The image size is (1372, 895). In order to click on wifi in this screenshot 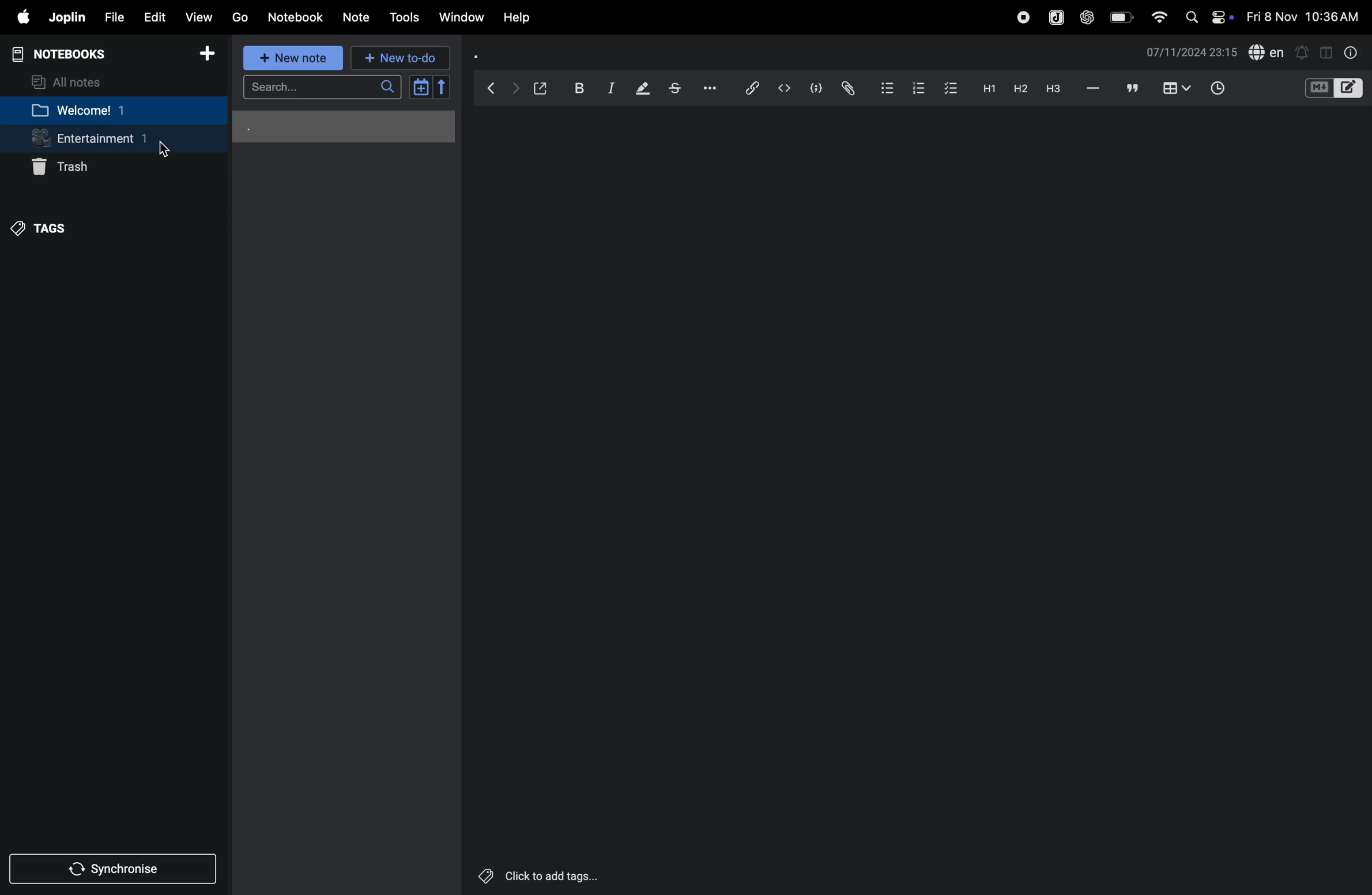, I will do `click(1162, 20)`.